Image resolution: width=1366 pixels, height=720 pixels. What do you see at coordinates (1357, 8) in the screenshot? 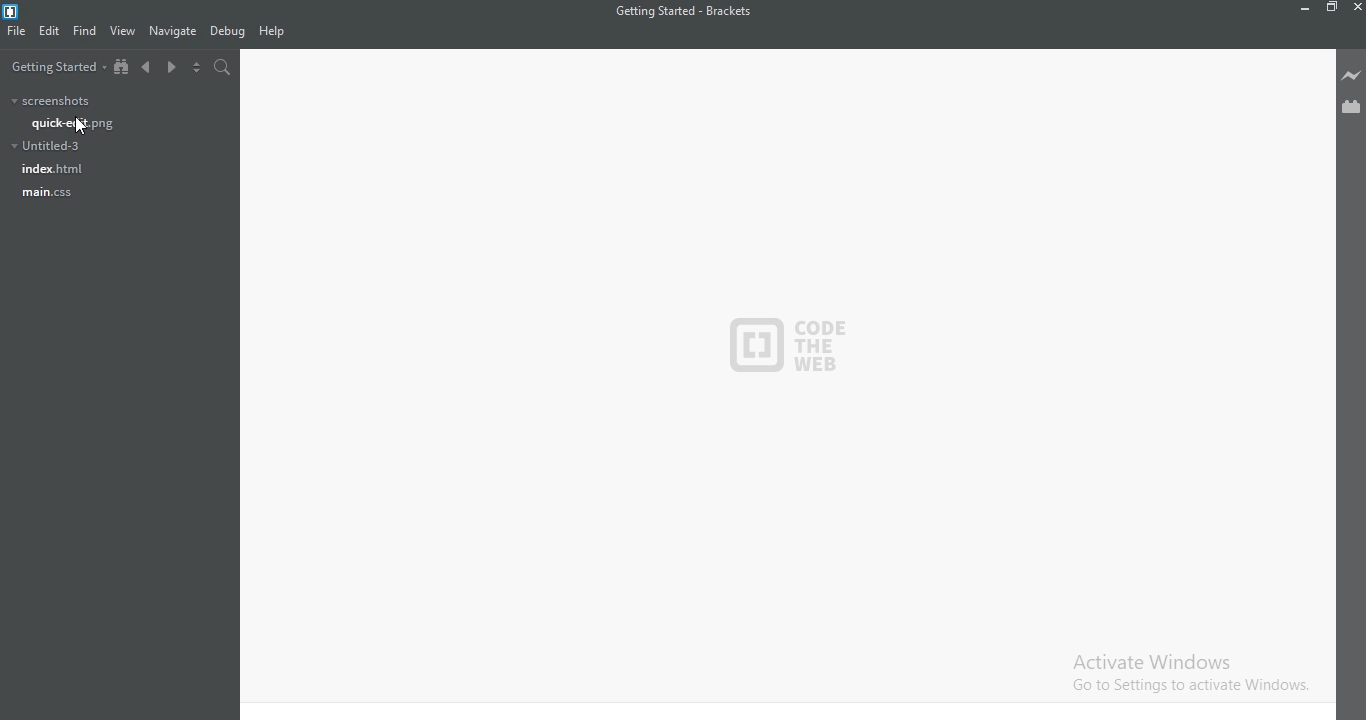
I see `close` at bounding box center [1357, 8].